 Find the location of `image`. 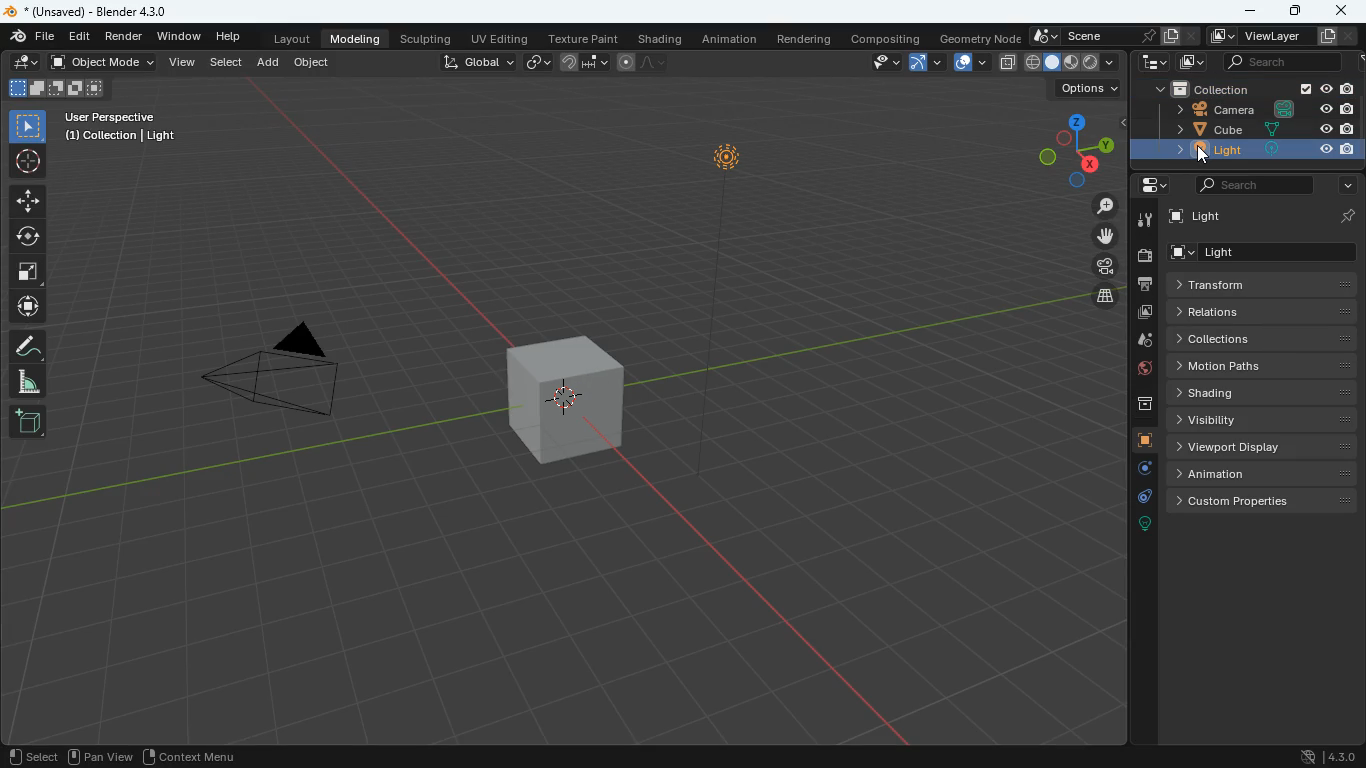

image is located at coordinates (1193, 62).